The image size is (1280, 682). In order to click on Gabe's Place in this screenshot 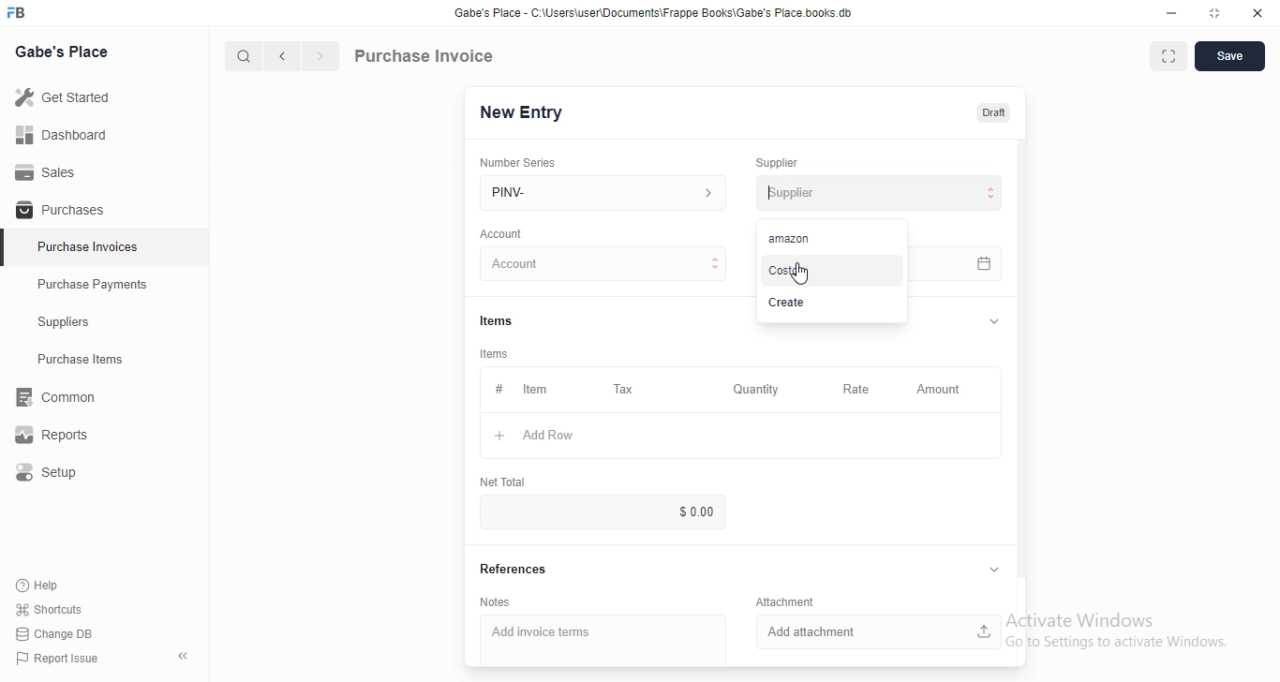, I will do `click(61, 51)`.